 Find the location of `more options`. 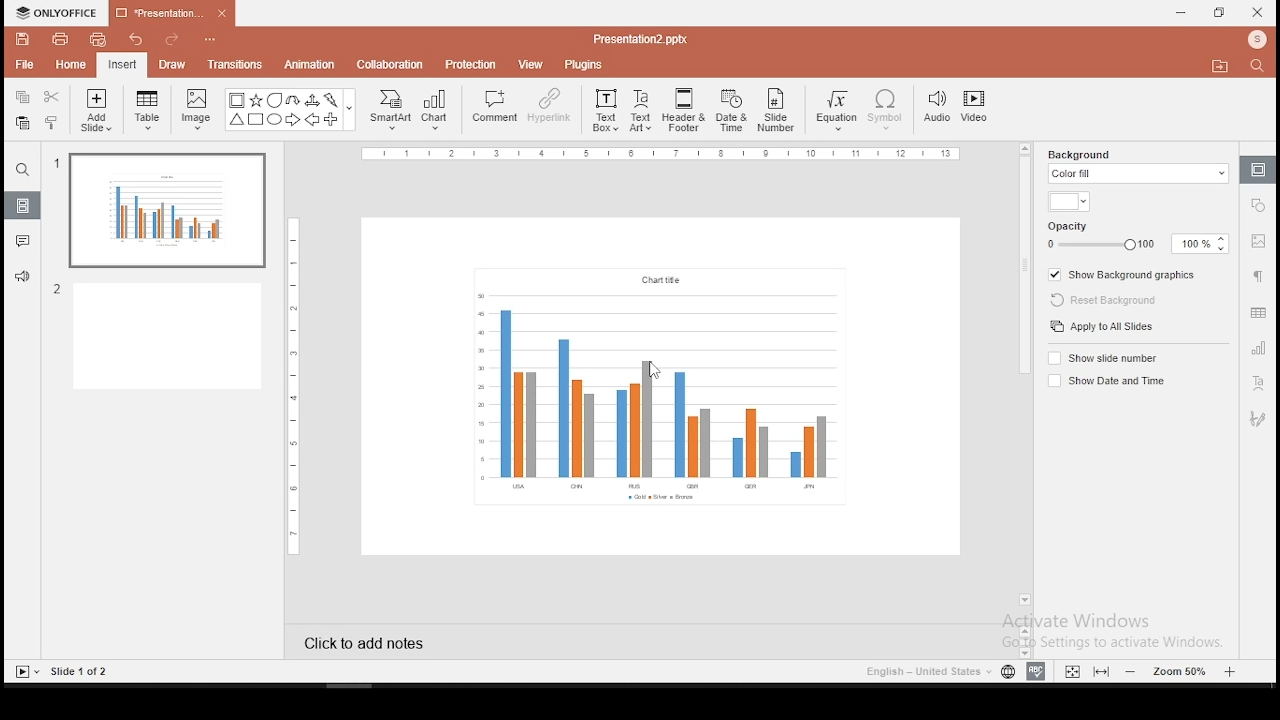

more options is located at coordinates (209, 37).